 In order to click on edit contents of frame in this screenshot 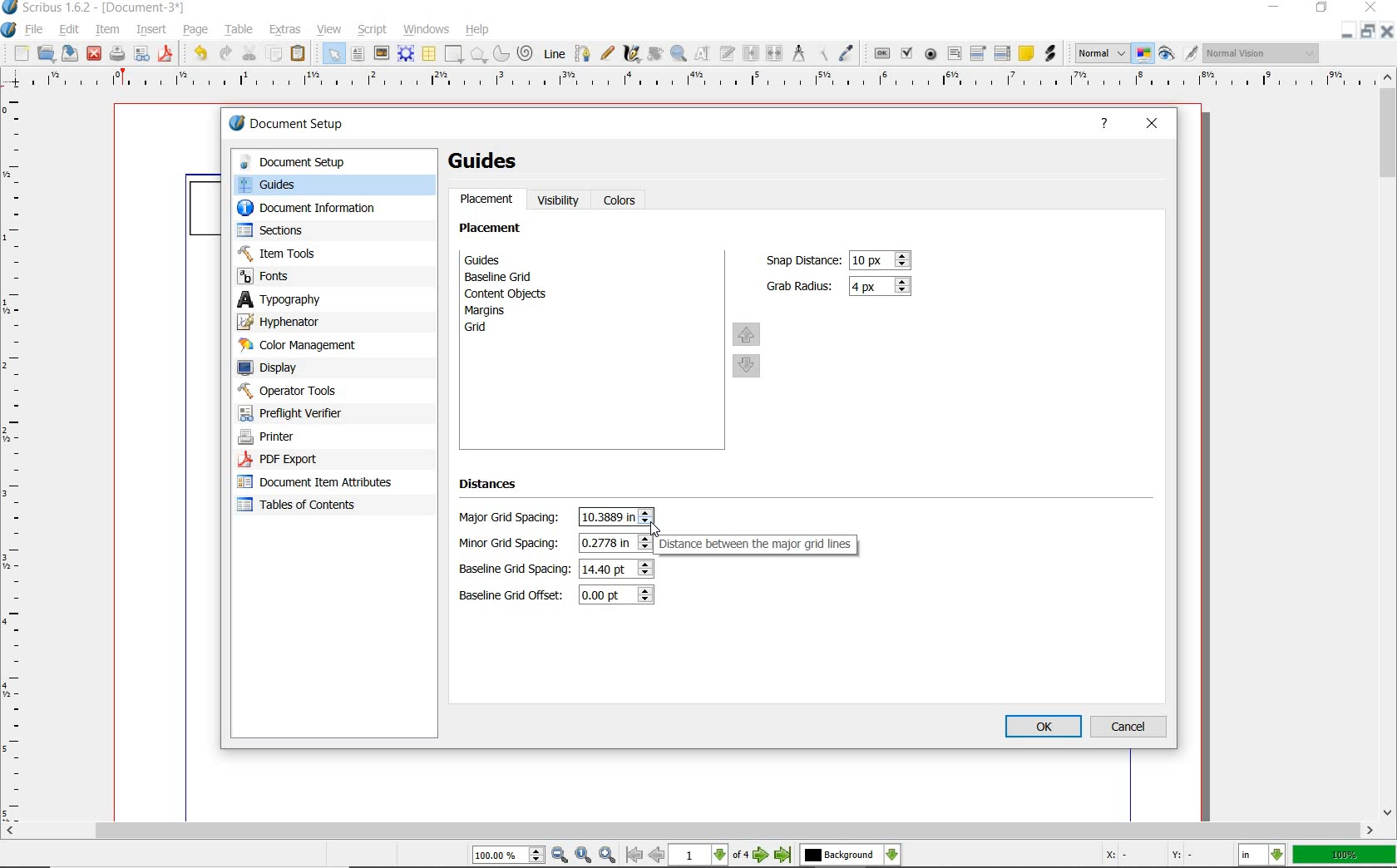, I will do `click(703, 53)`.